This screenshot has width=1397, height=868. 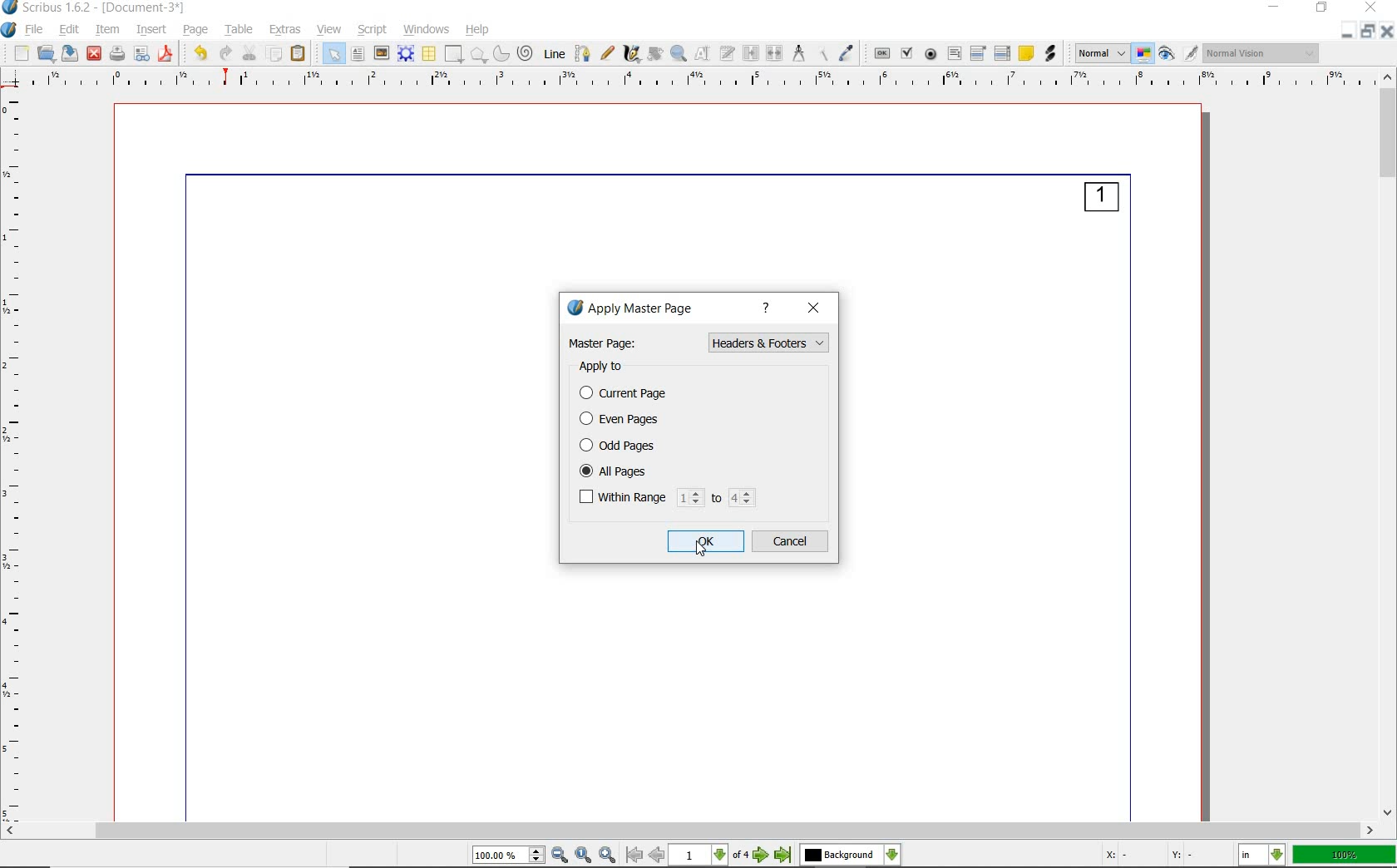 I want to click on paste, so click(x=299, y=54).